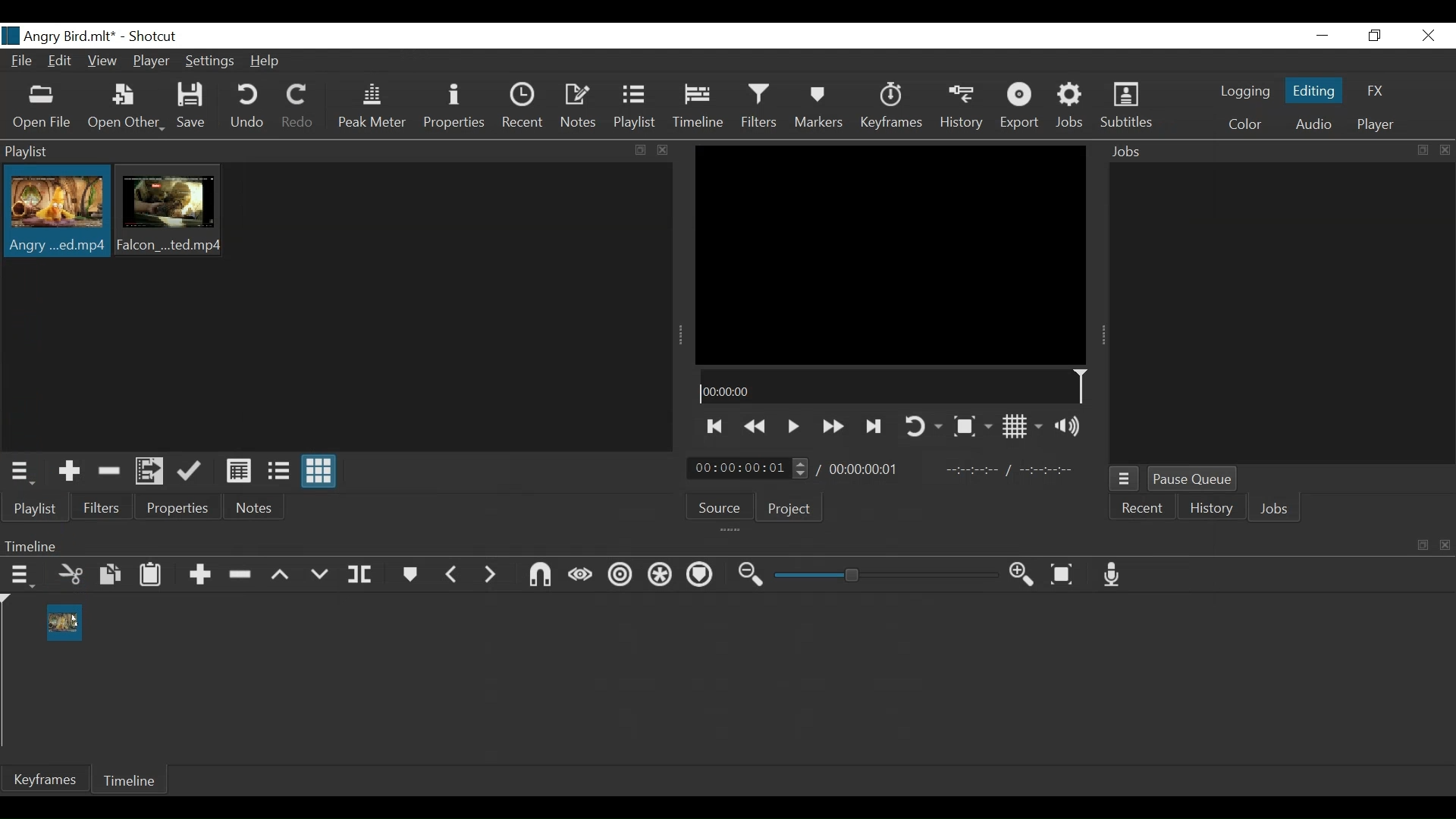 This screenshot has width=1456, height=819. Describe the element at coordinates (297, 107) in the screenshot. I see `Redo` at that location.